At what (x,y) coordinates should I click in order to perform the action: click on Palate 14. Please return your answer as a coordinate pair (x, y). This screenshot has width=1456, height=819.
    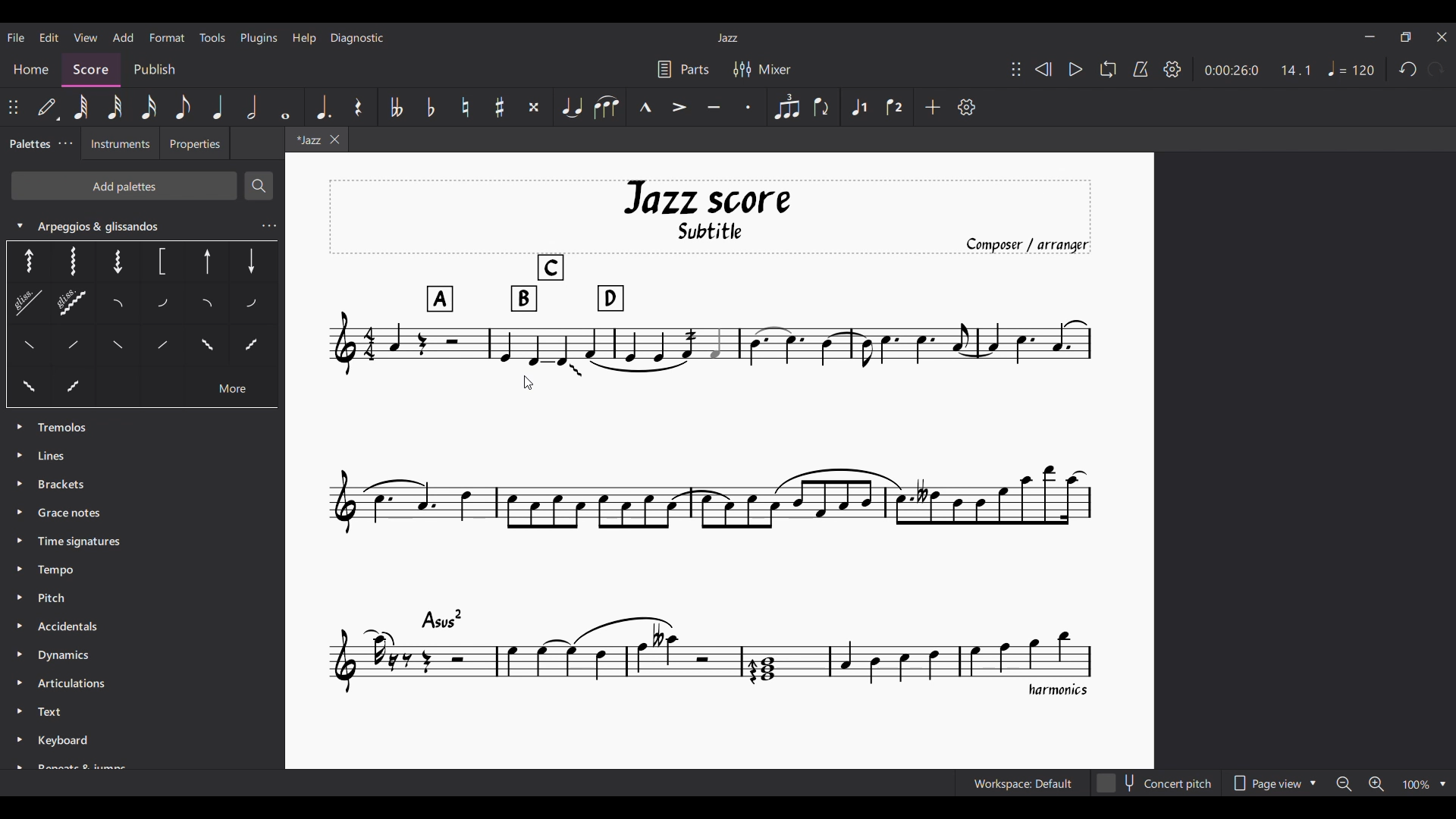
    Looking at the image, I should click on (158, 349).